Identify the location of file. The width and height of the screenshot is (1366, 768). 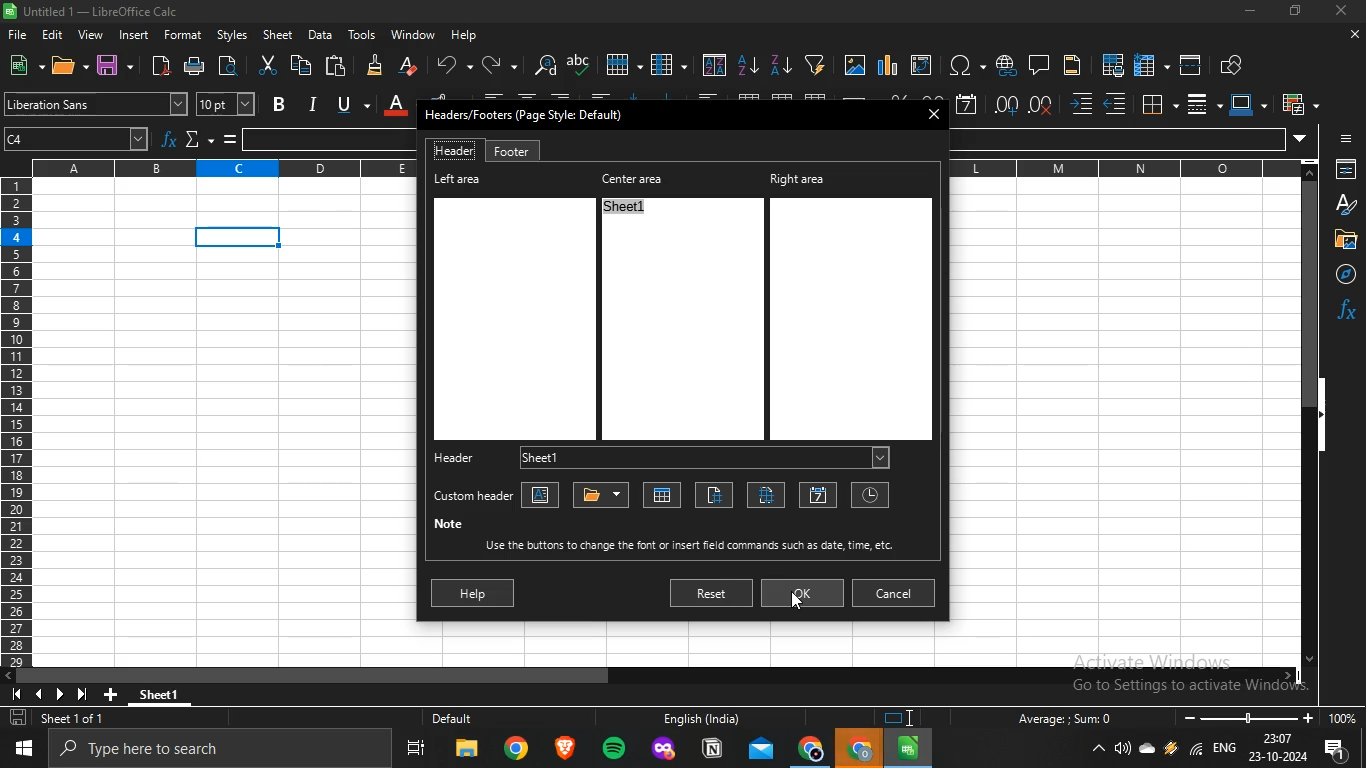
(20, 36).